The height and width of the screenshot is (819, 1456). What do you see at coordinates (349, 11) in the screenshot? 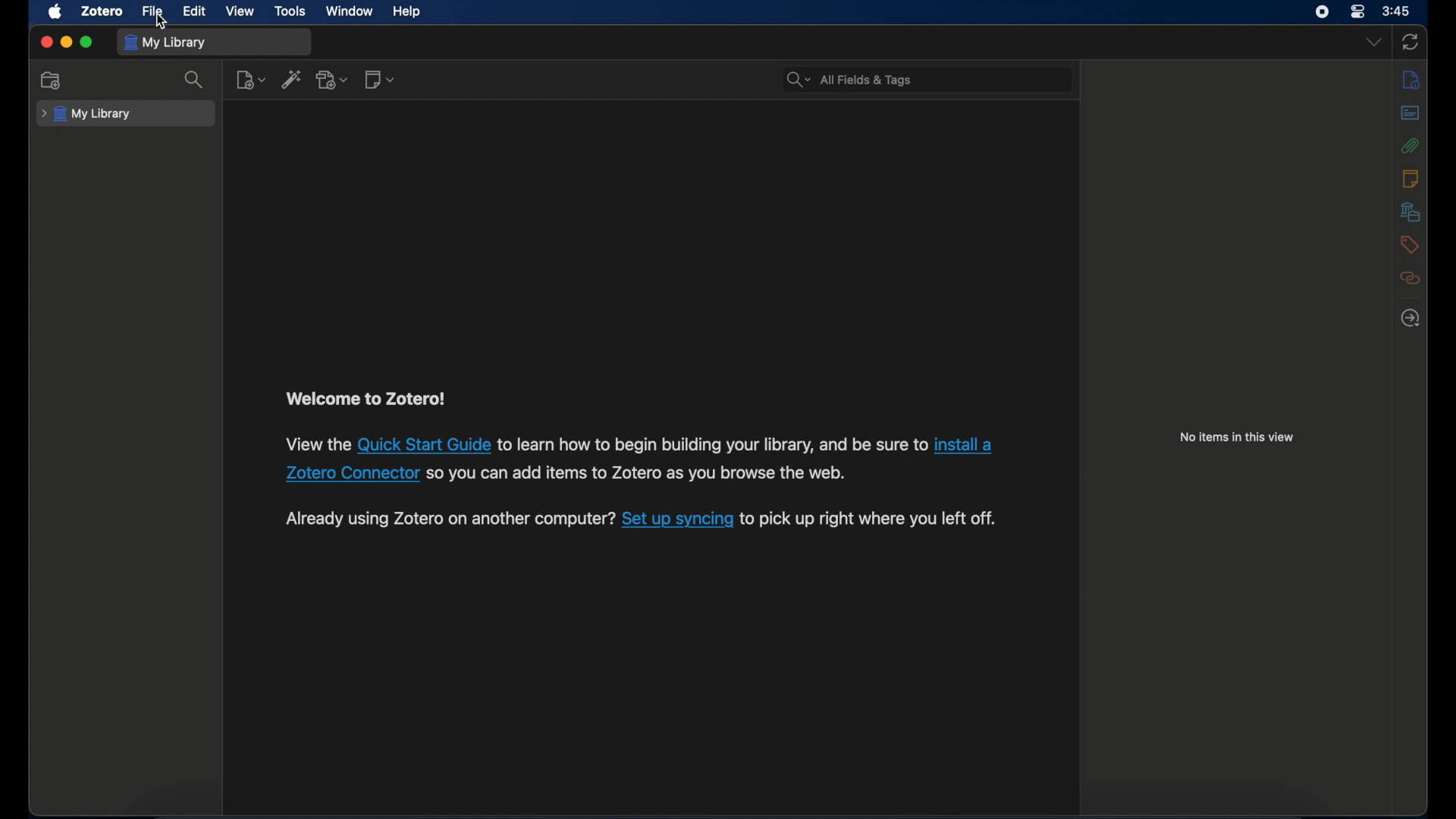
I see `window` at bounding box center [349, 11].